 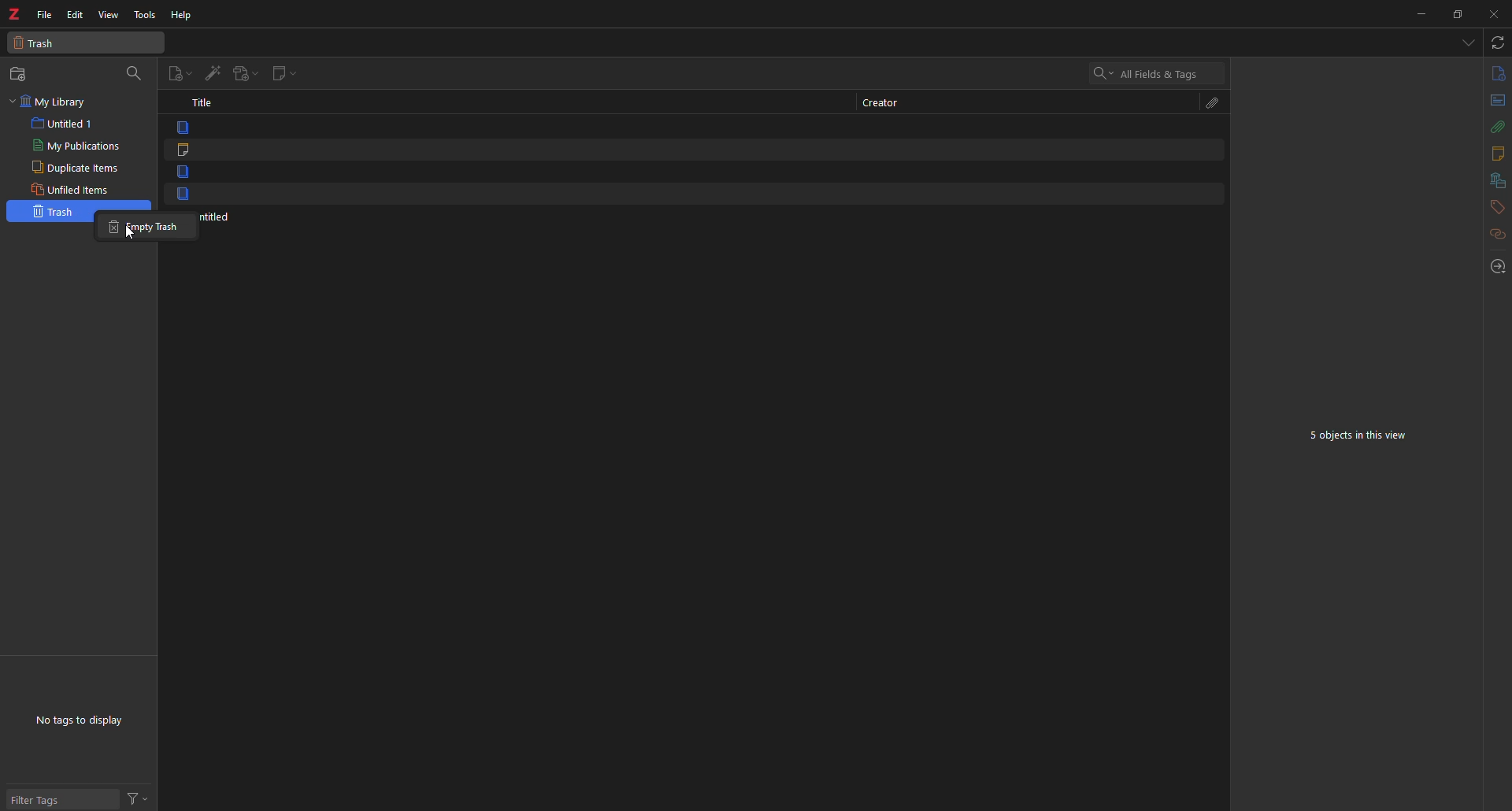 I want to click on duplicate items, so click(x=75, y=168).